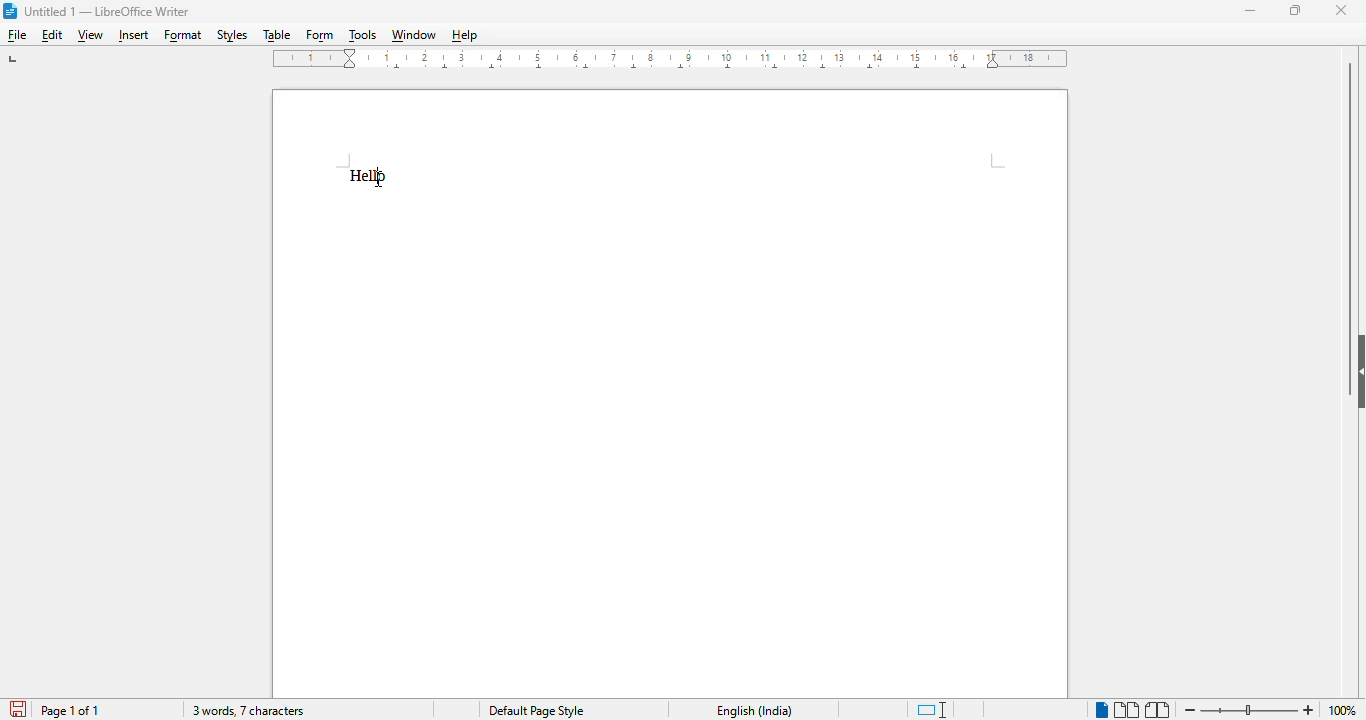 This screenshot has height=720, width=1366. What do you see at coordinates (1308, 711) in the screenshot?
I see `zoom in` at bounding box center [1308, 711].